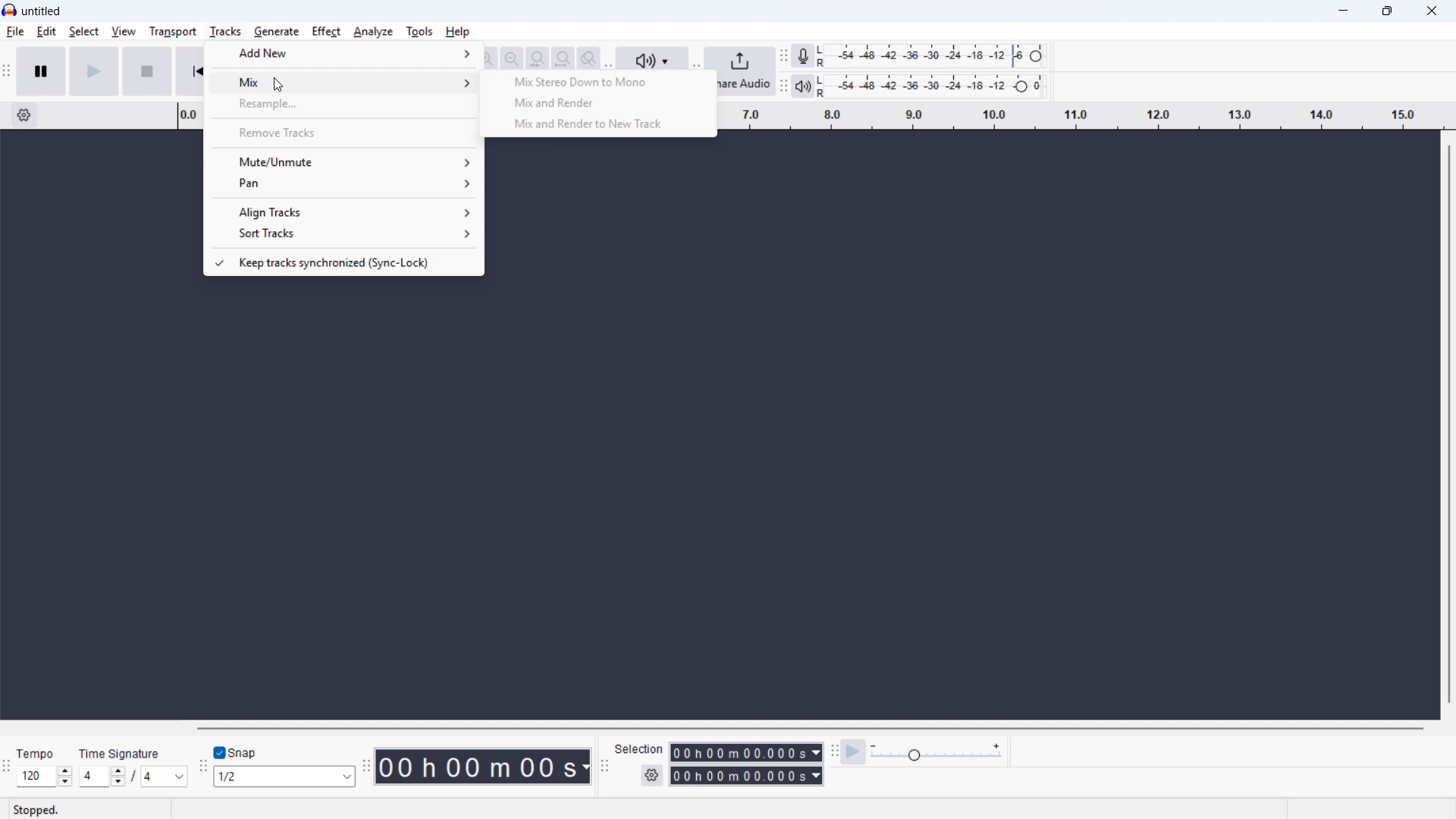  I want to click on Recording metre toolbar , so click(803, 55).